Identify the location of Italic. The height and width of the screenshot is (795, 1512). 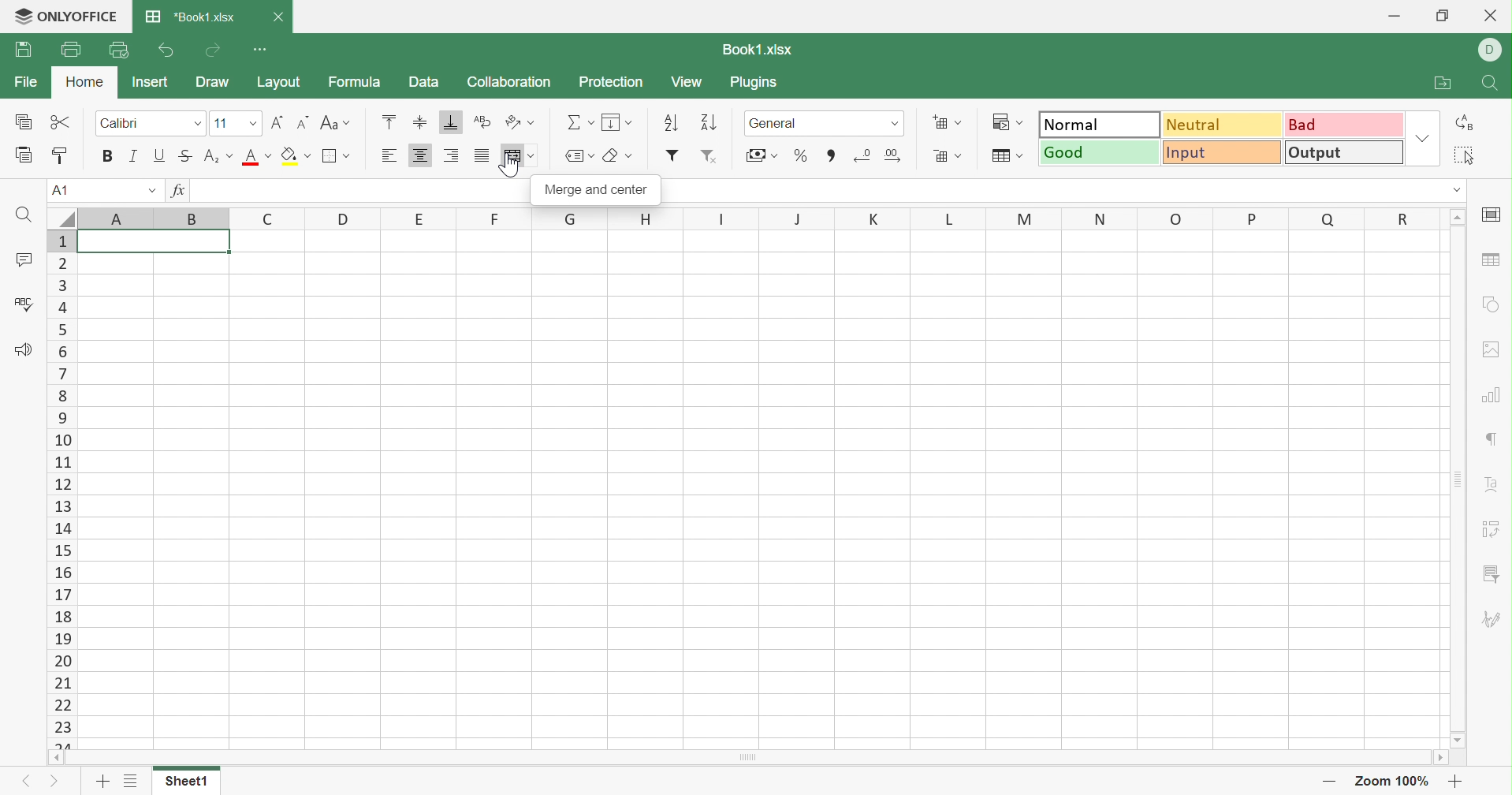
(132, 156).